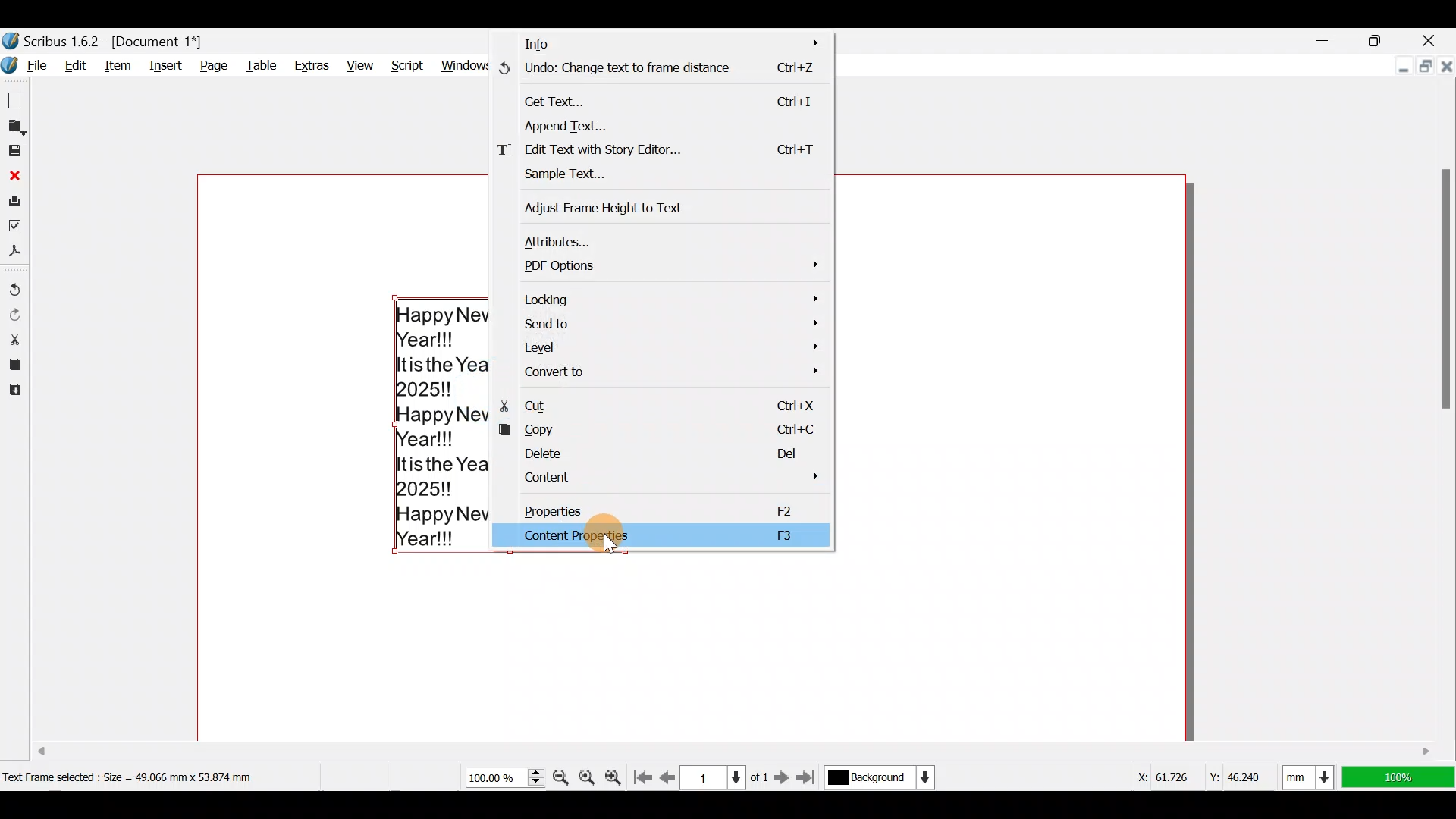 This screenshot has width=1456, height=819. Describe the element at coordinates (1423, 68) in the screenshot. I see `Maximize` at that location.